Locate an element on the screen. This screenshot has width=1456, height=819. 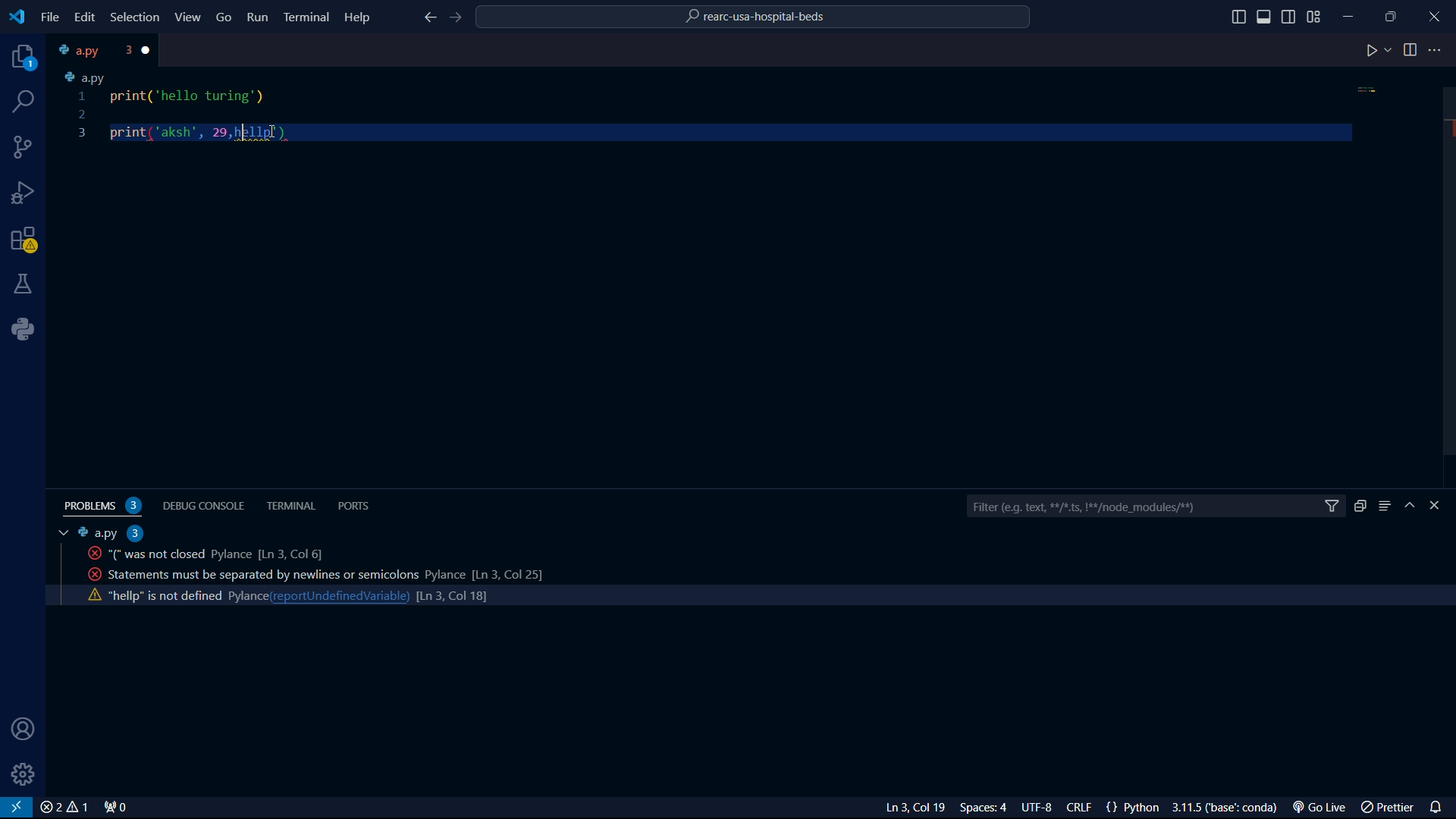
reportundefinedvariable is located at coordinates (341, 596).